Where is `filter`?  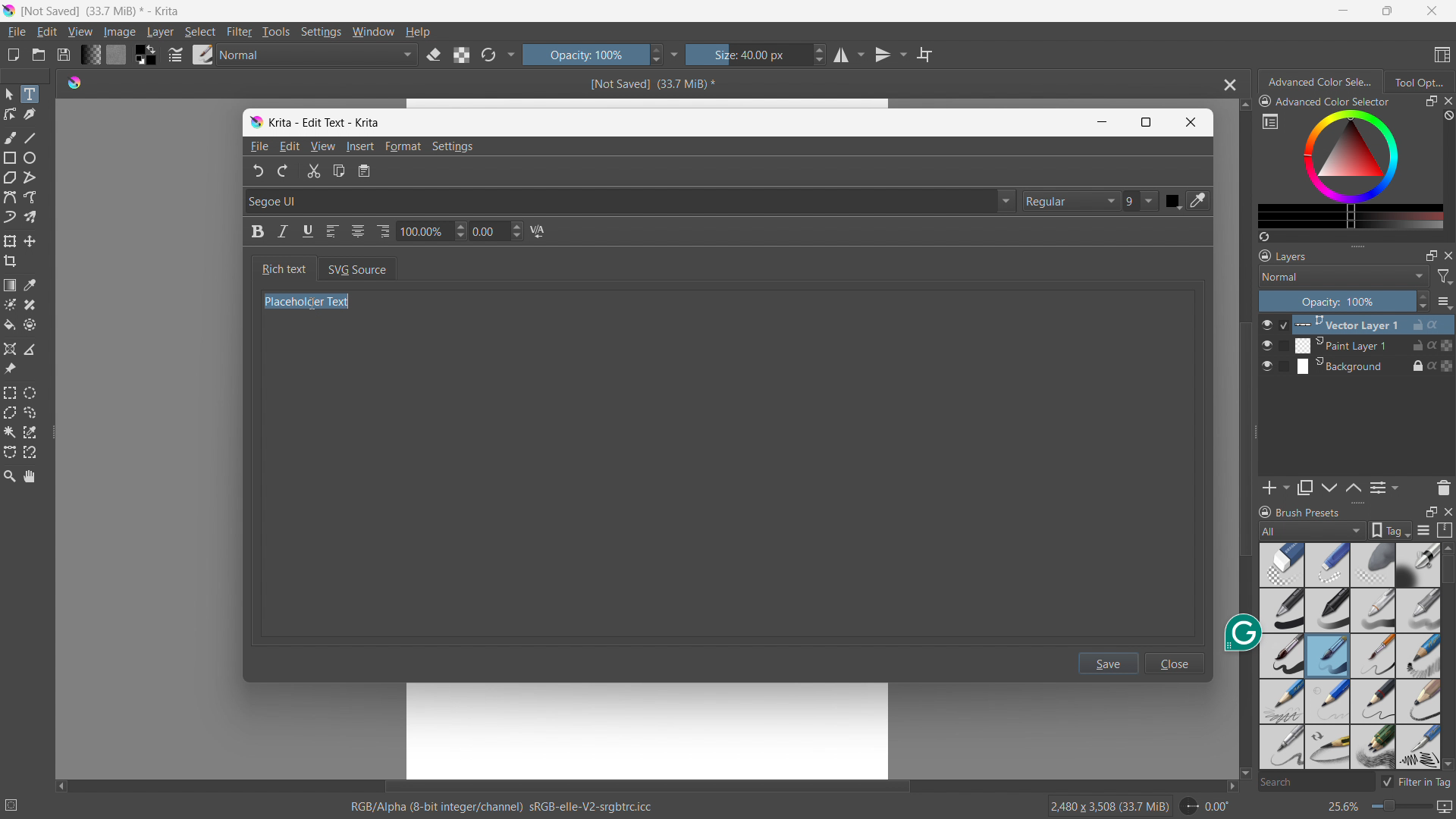
filter is located at coordinates (1445, 277).